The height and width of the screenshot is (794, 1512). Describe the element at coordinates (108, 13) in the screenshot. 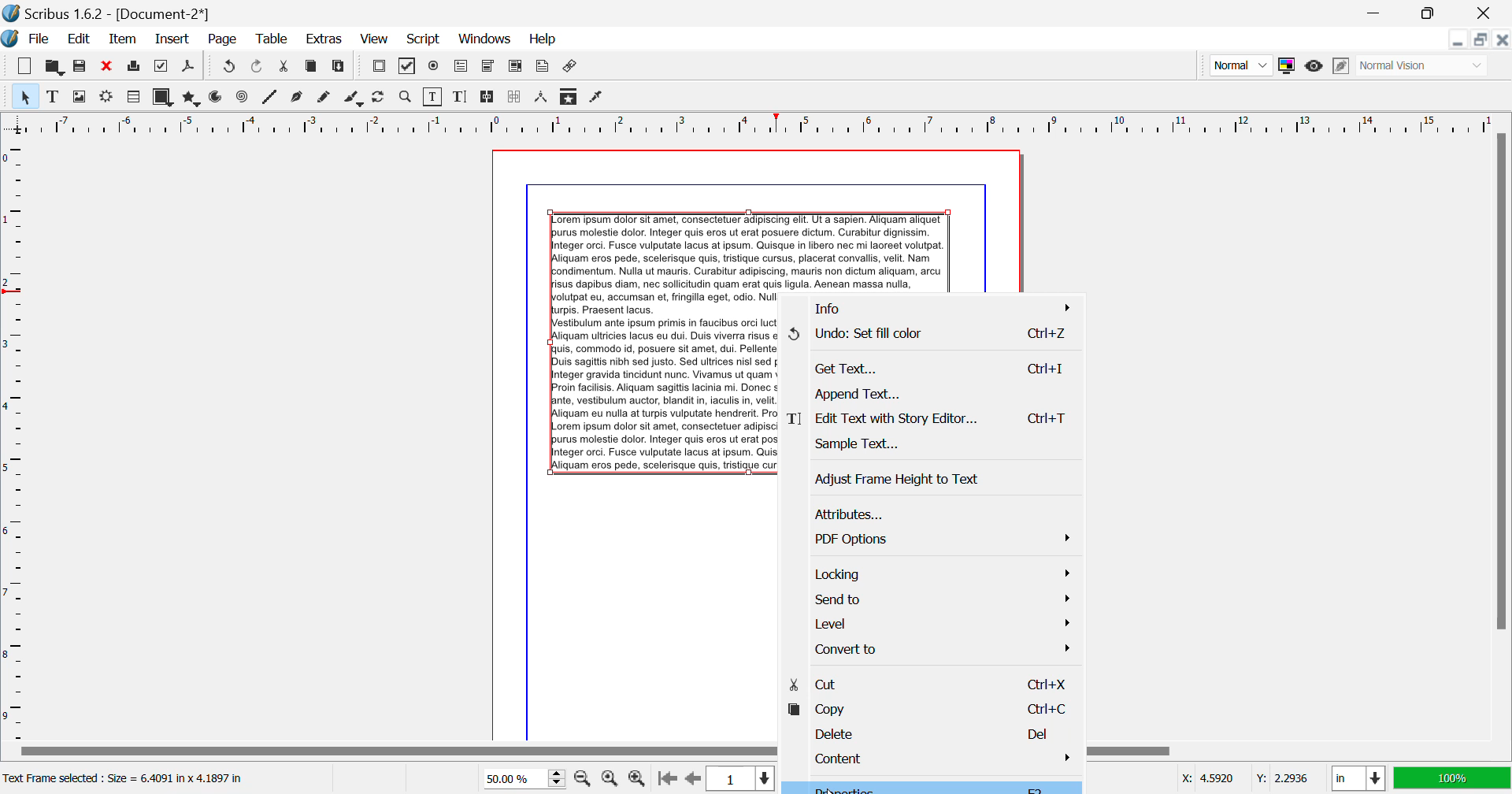

I see `Scribus 1.62 - [Document-2*]` at that location.